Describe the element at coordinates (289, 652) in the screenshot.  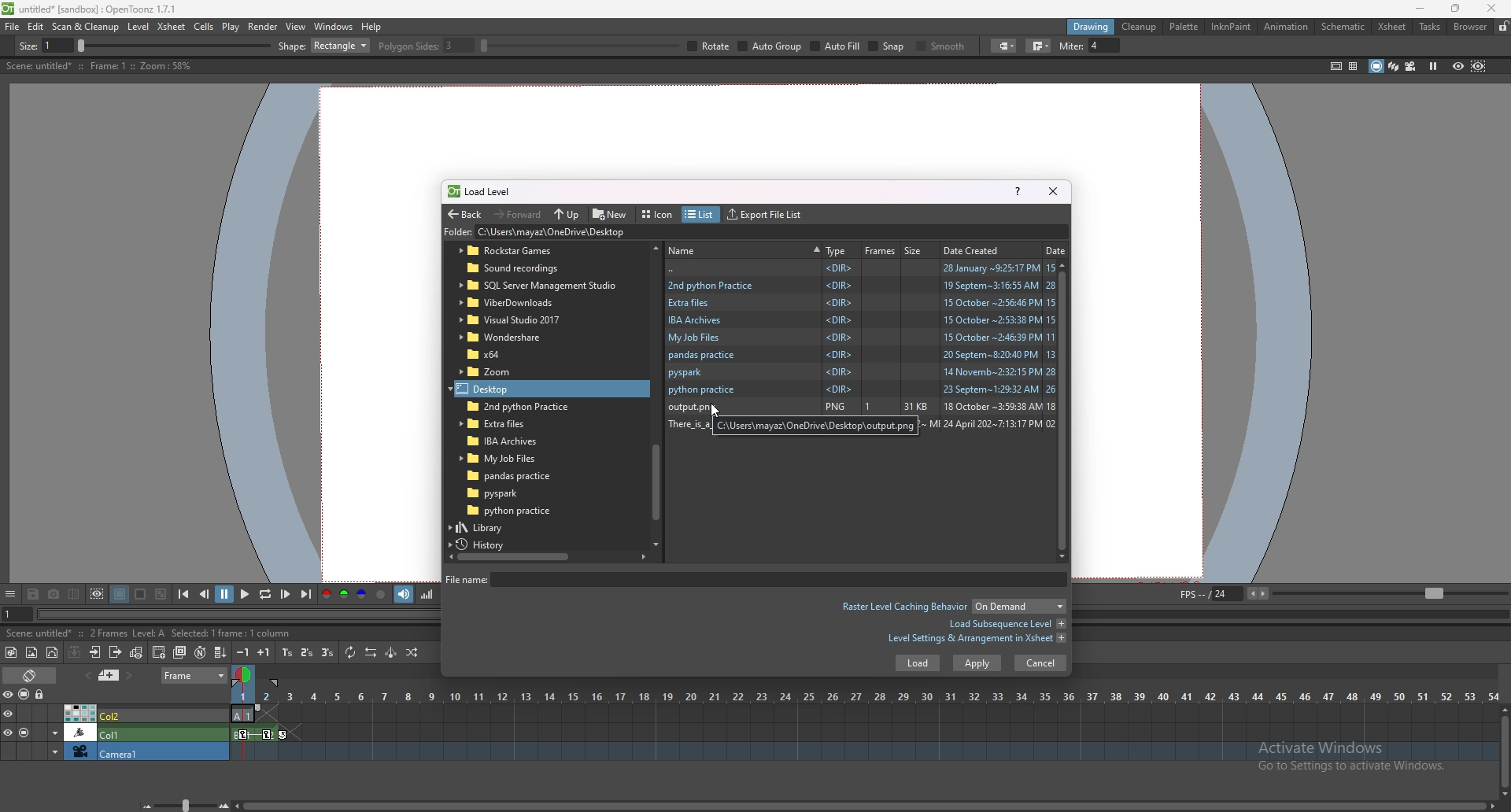
I see `reframe on 1s` at that location.